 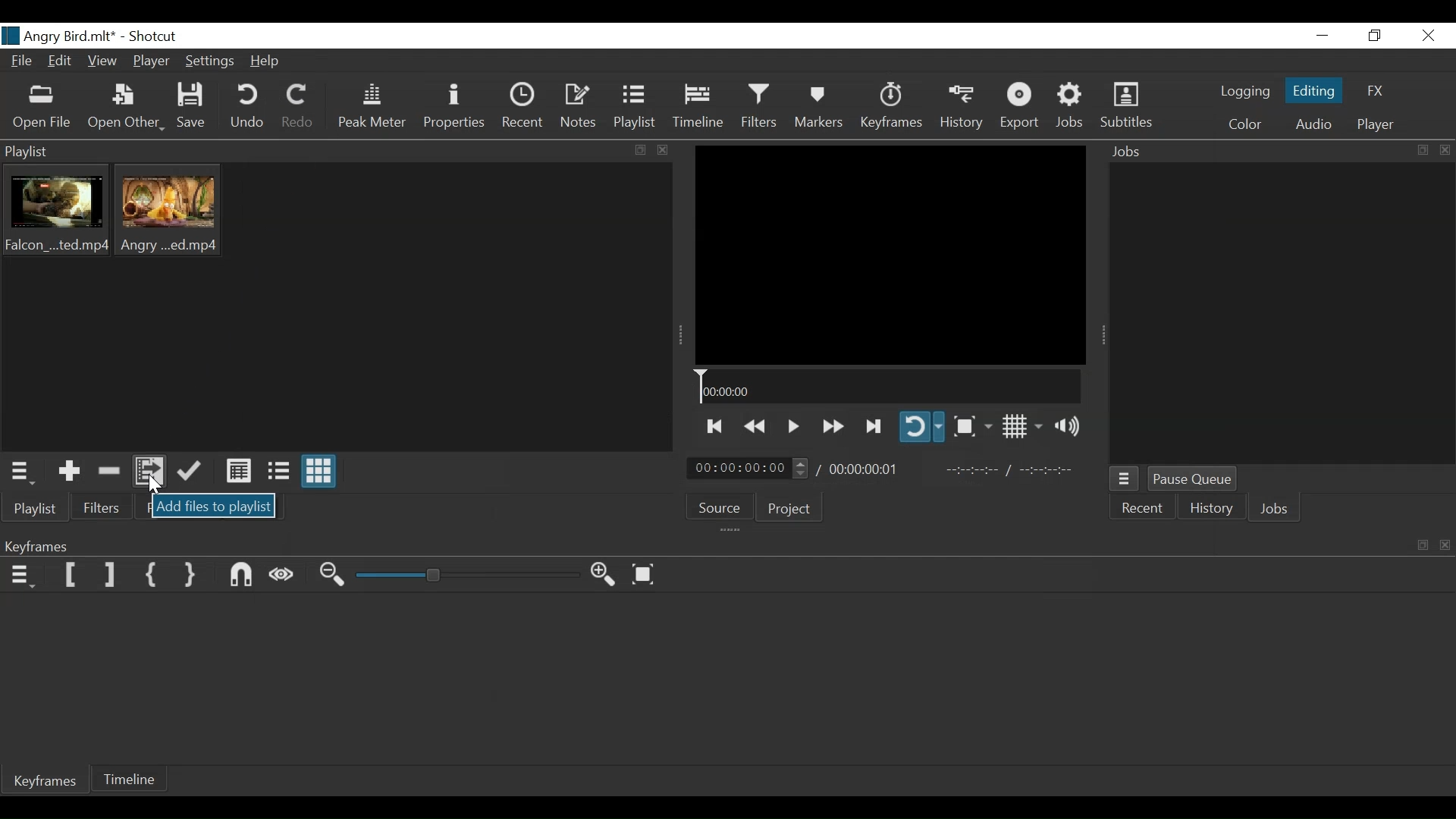 What do you see at coordinates (1277, 153) in the screenshot?
I see `Jobs Panel` at bounding box center [1277, 153].